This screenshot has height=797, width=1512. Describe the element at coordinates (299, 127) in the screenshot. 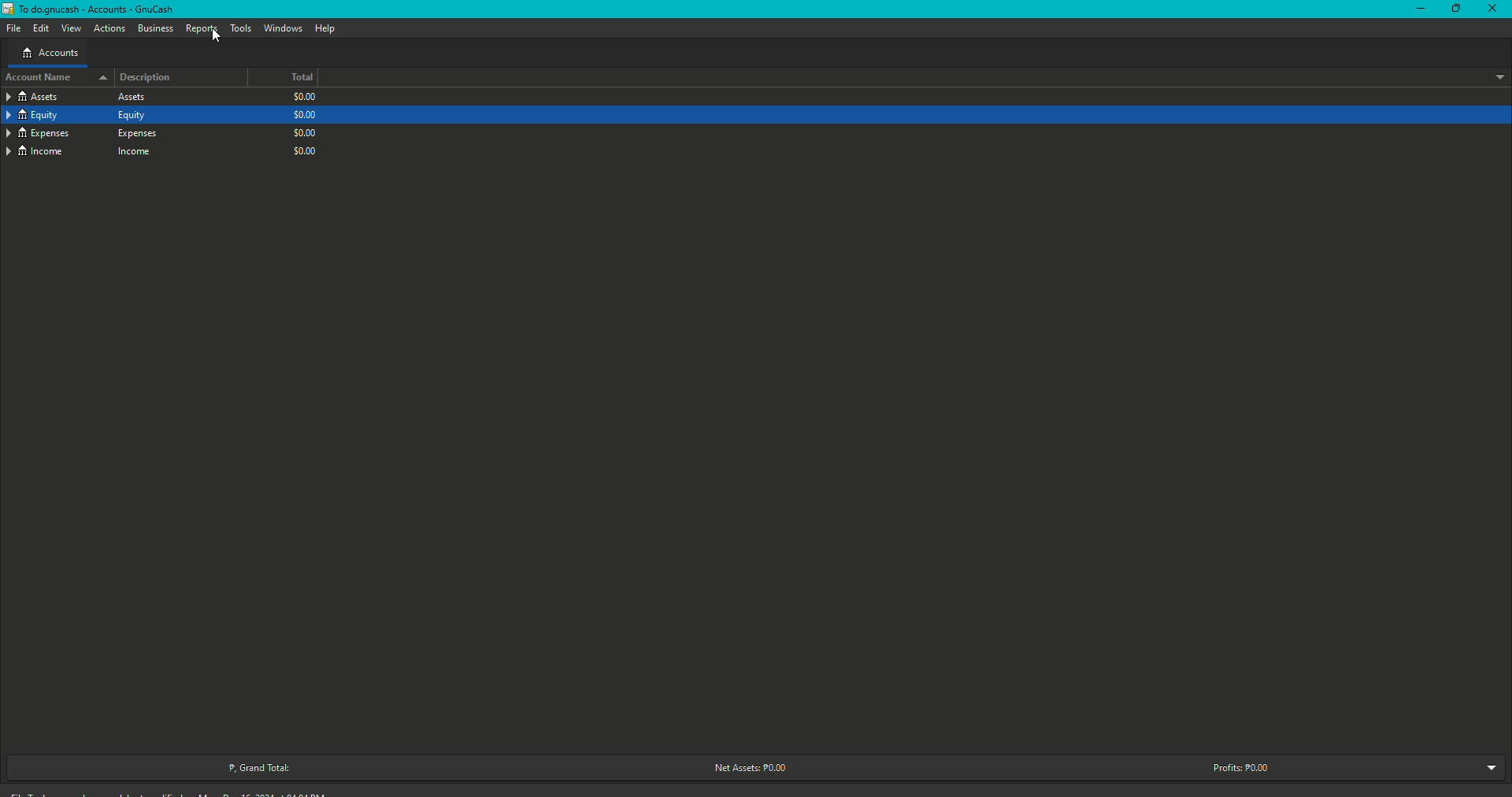

I see `$0` at that location.